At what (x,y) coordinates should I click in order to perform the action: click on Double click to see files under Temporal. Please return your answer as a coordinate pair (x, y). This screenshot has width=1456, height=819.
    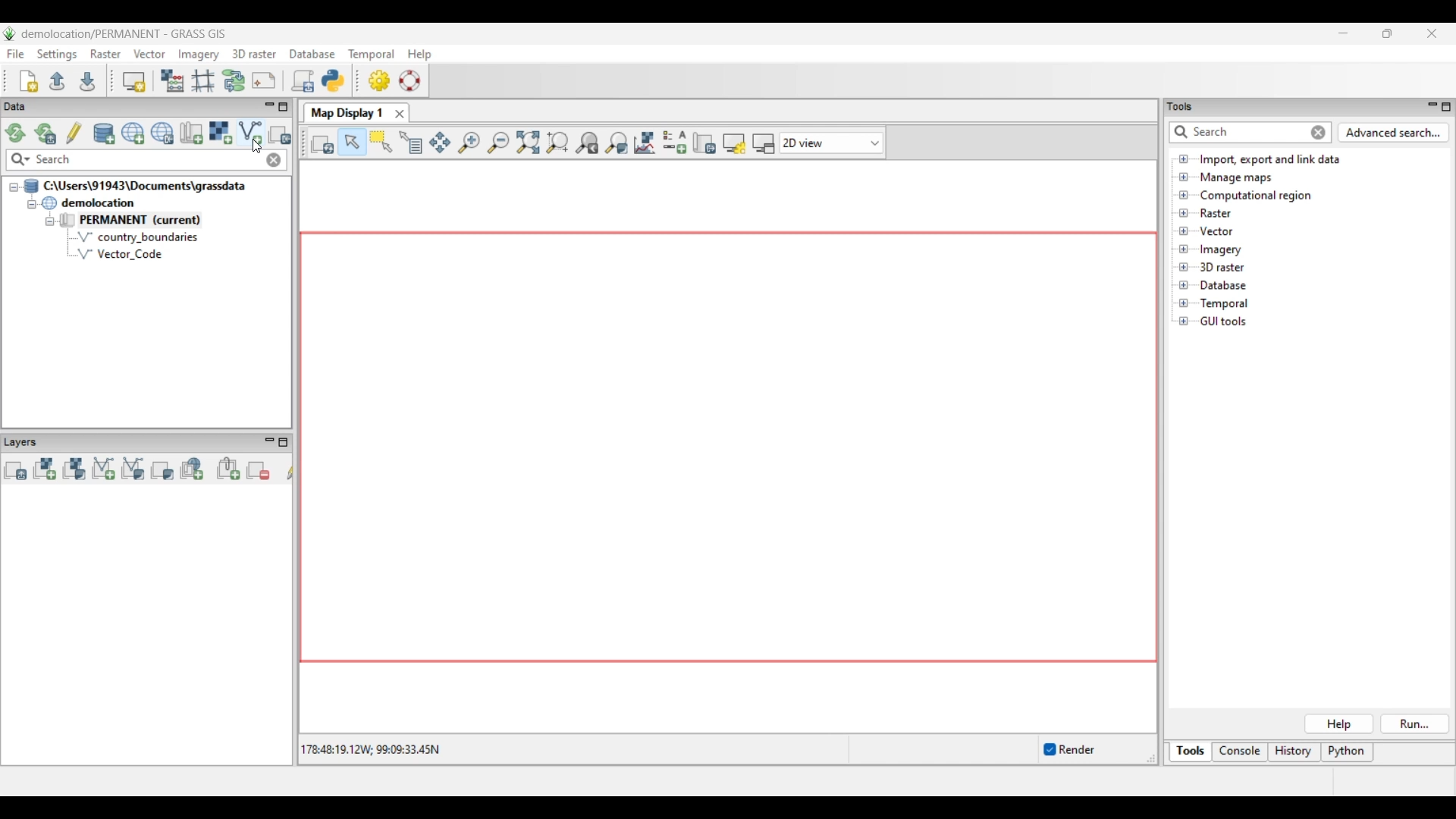
    Looking at the image, I should click on (1224, 304).